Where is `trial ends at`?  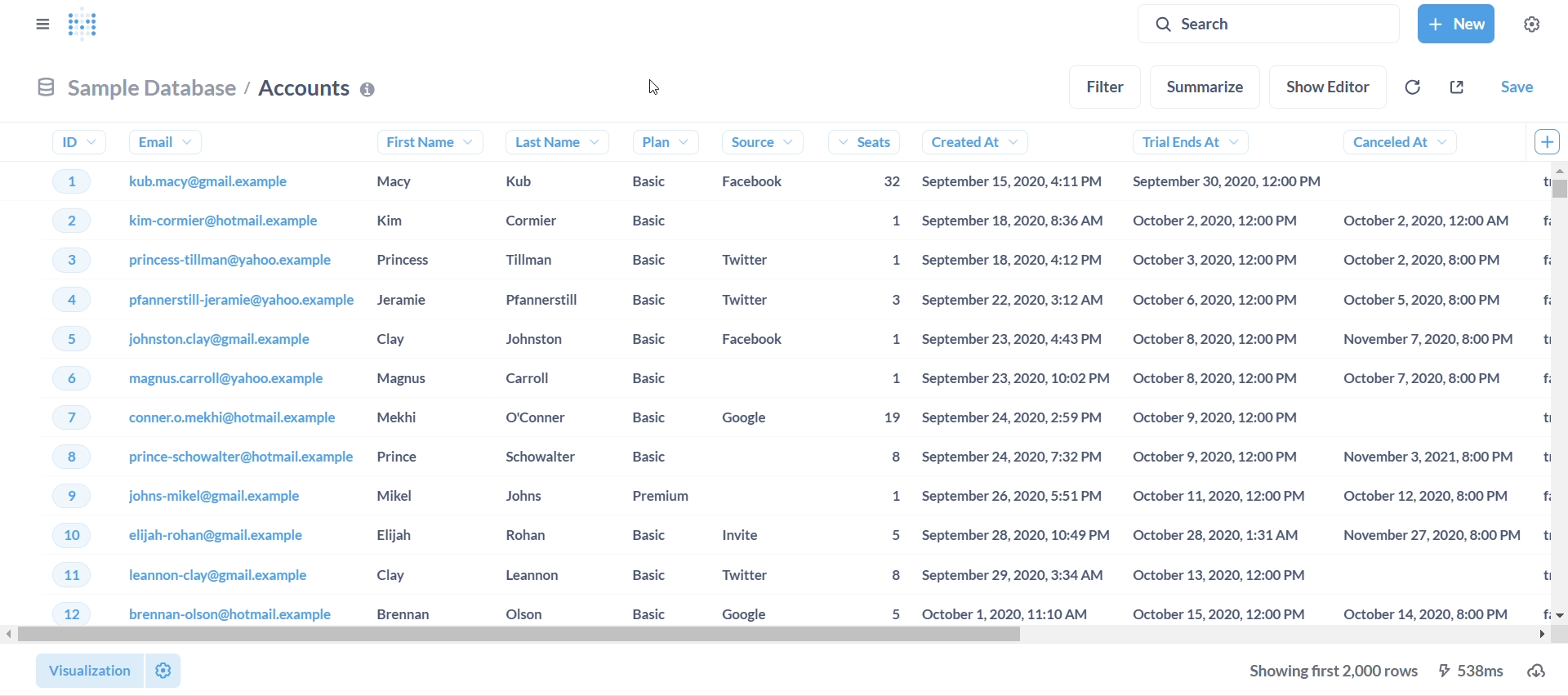 trial ends at is located at coordinates (1226, 373).